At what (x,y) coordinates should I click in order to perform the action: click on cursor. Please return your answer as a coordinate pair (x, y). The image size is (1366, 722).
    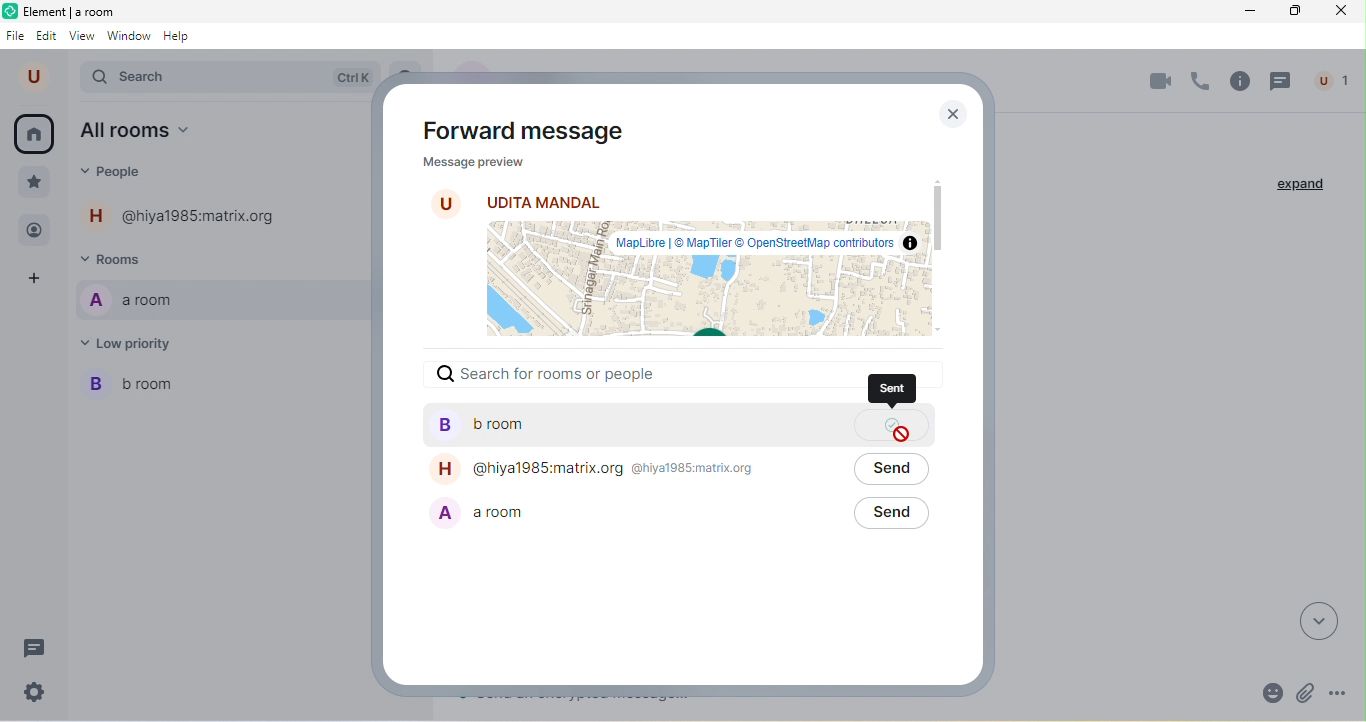
    Looking at the image, I should click on (902, 434).